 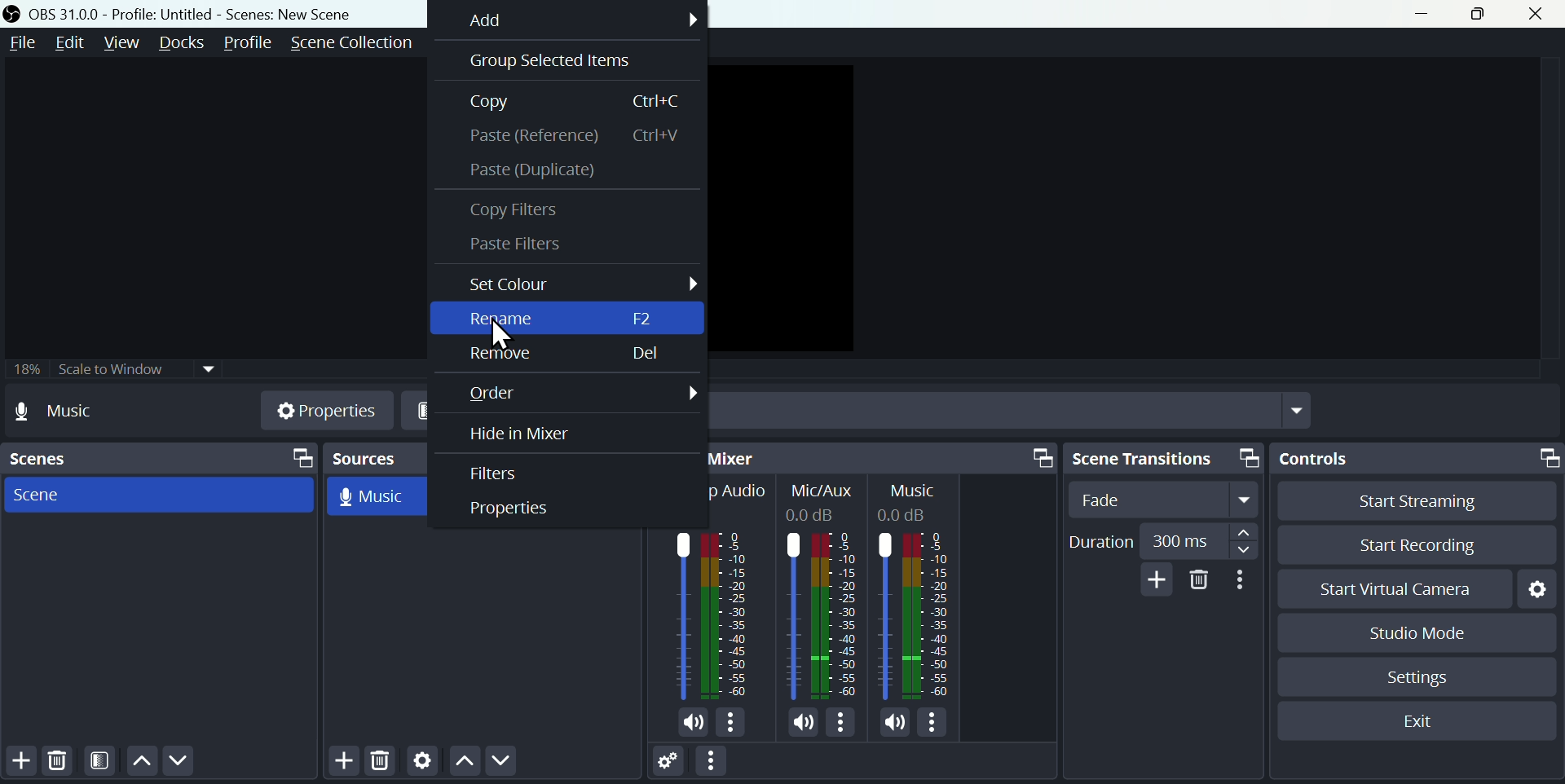 I want to click on More options, so click(x=715, y=761).